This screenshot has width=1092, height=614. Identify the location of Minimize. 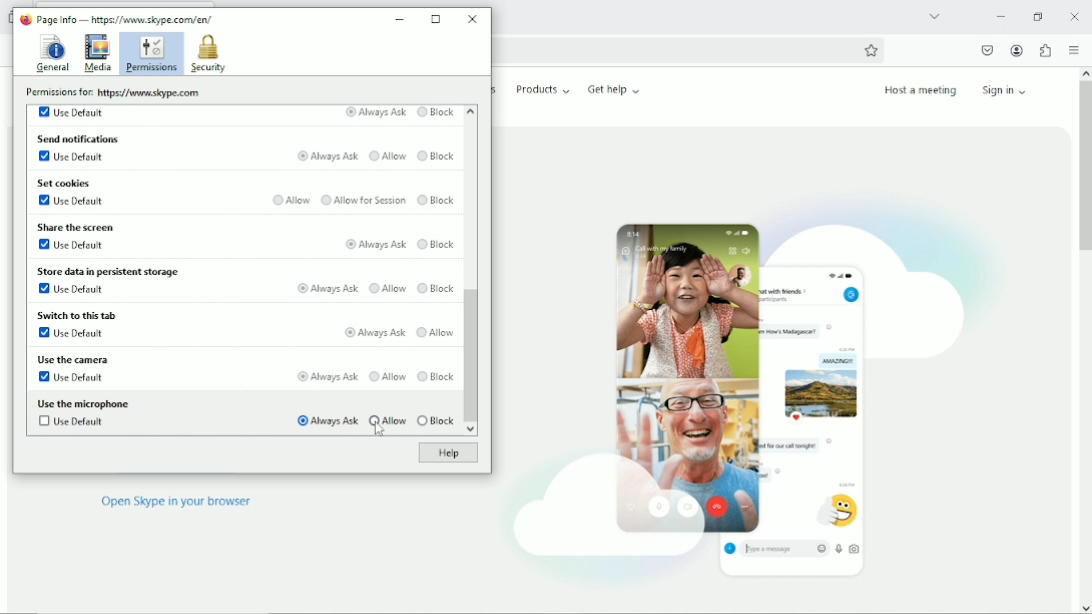
(401, 16).